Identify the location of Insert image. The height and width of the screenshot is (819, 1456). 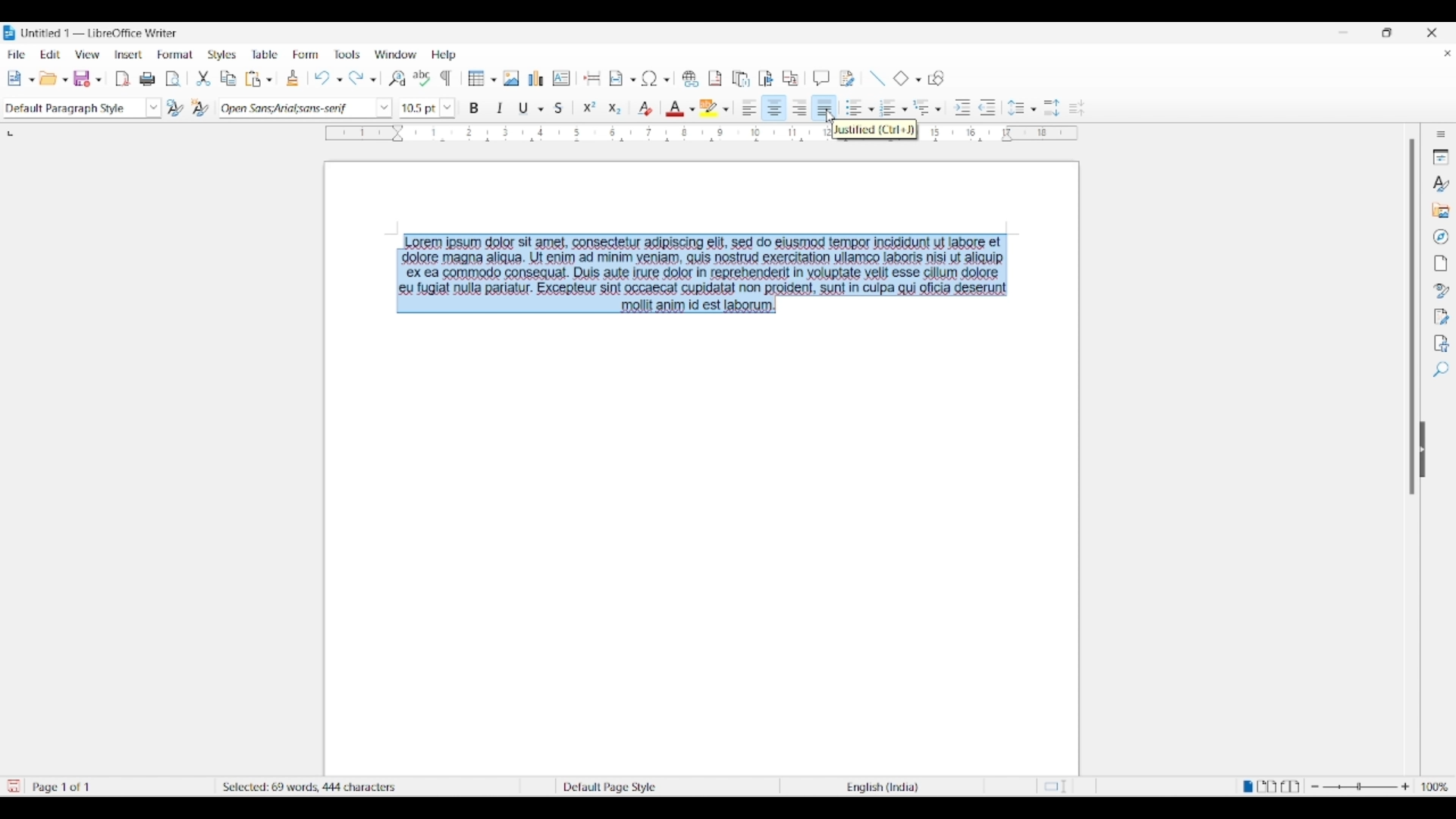
(511, 78).